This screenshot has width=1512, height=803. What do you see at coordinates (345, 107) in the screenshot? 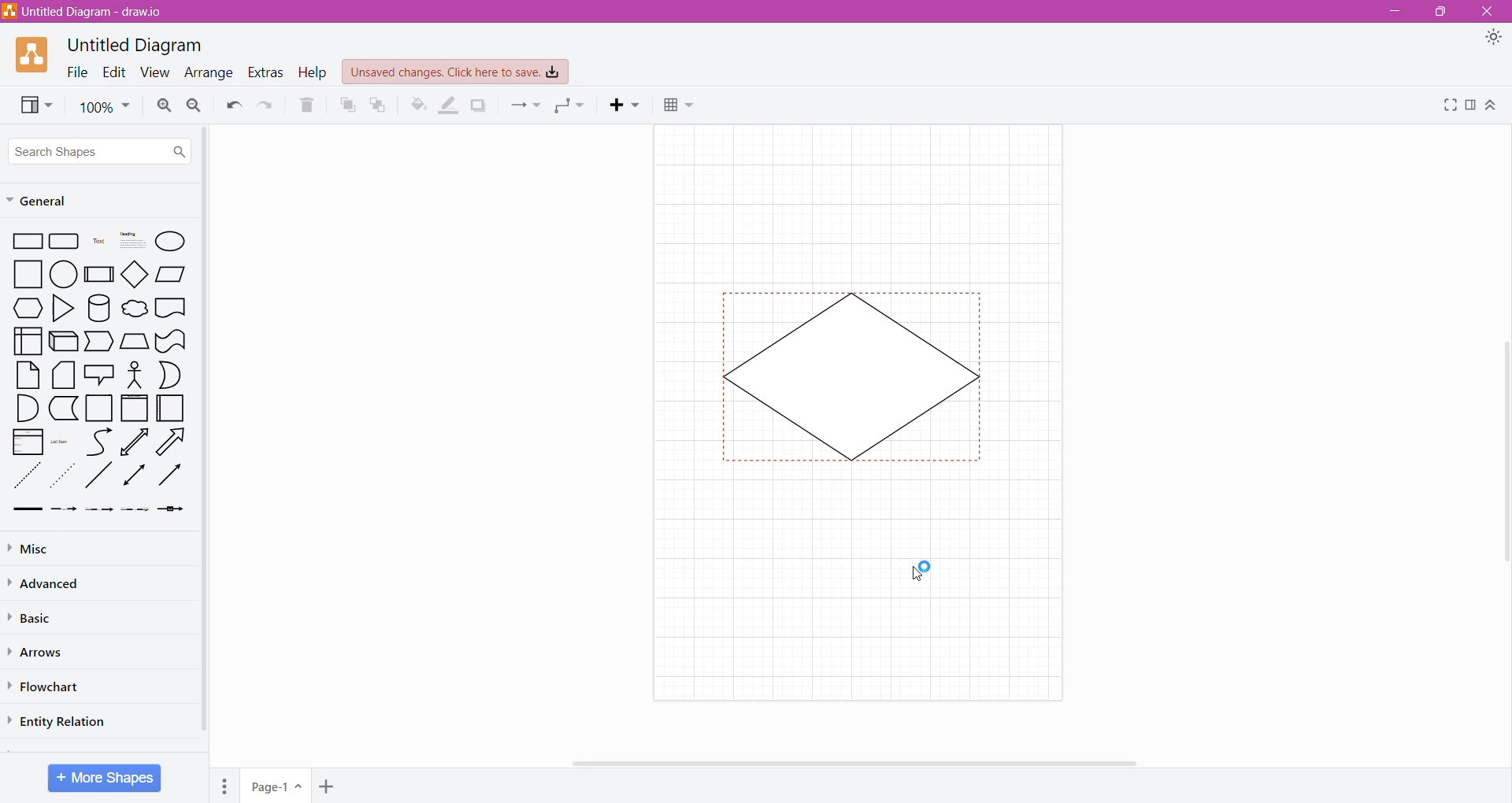
I see `To Front` at bounding box center [345, 107].